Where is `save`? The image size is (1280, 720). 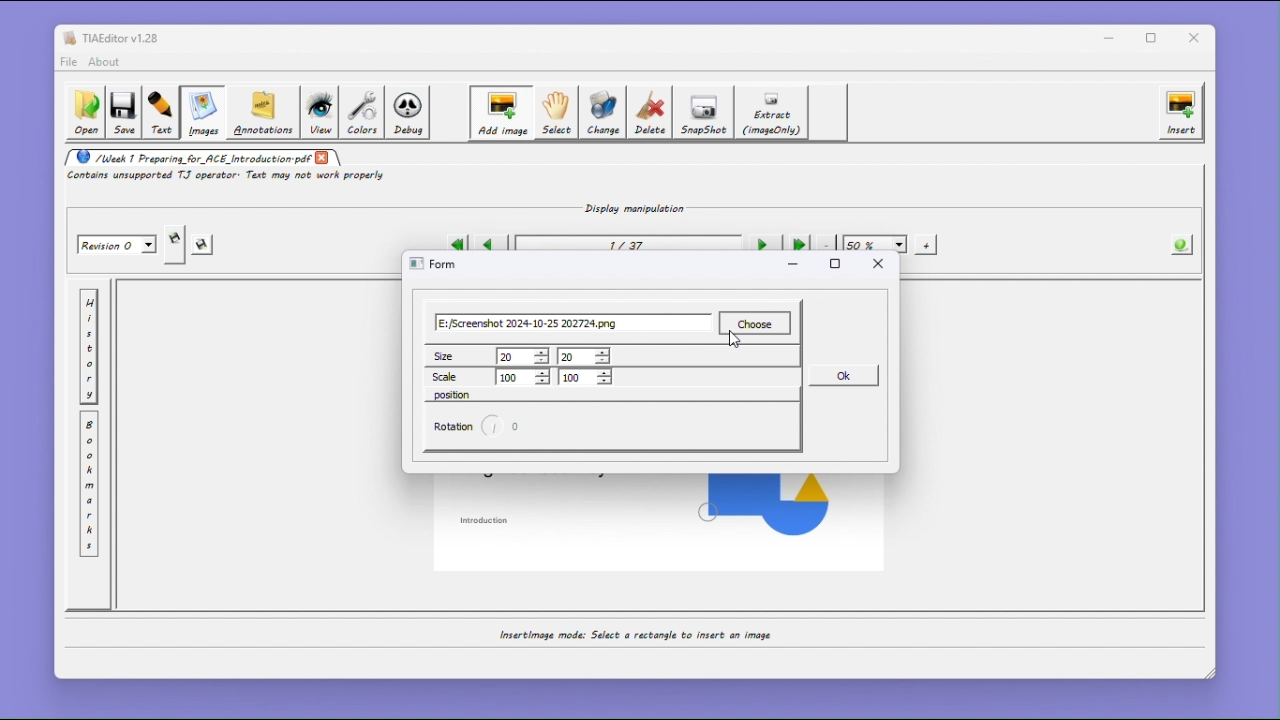
save is located at coordinates (204, 246).